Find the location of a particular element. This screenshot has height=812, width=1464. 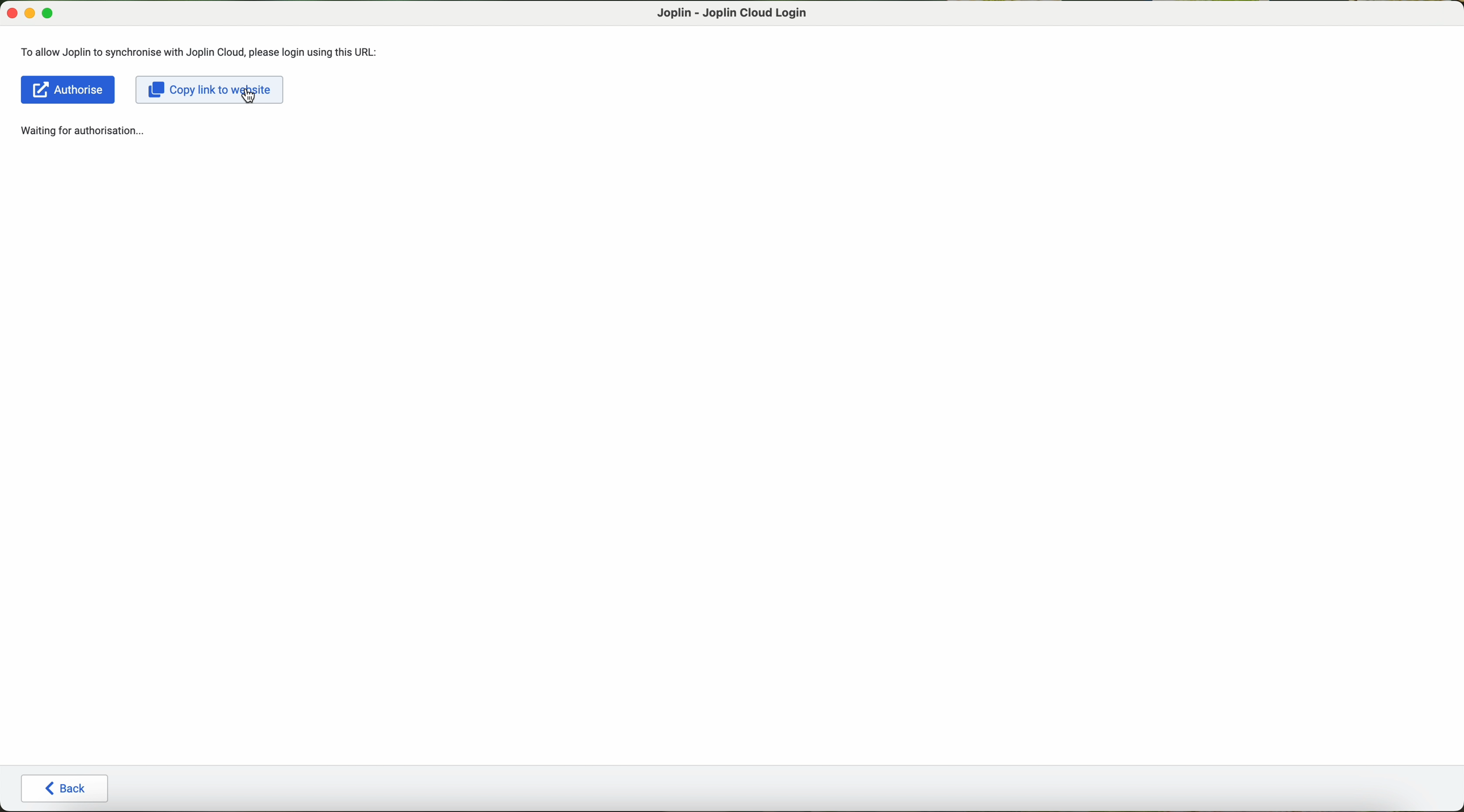

Joplin - Joplin Cloud login is located at coordinates (732, 12).